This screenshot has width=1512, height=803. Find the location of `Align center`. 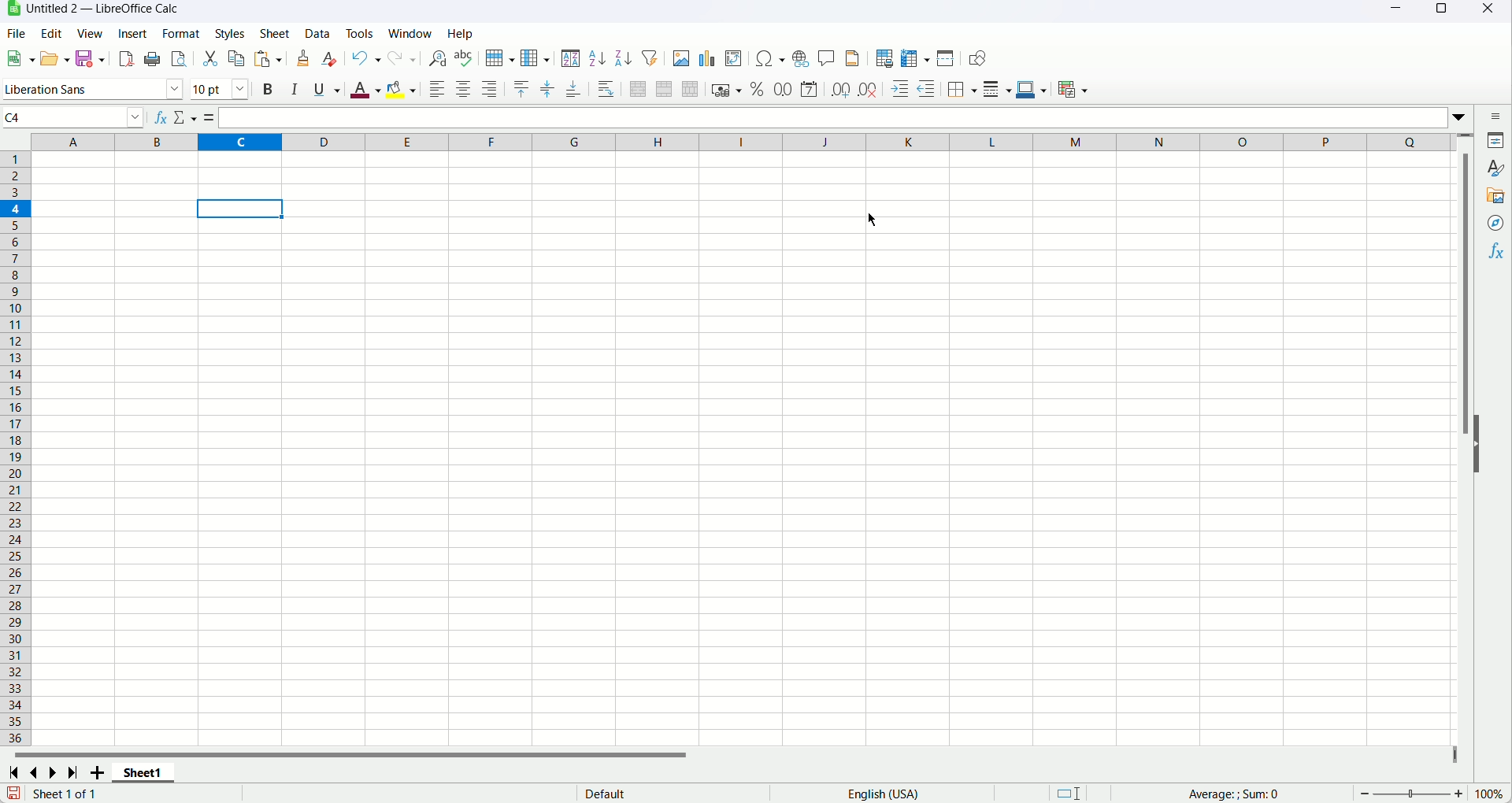

Align center is located at coordinates (465, 90).